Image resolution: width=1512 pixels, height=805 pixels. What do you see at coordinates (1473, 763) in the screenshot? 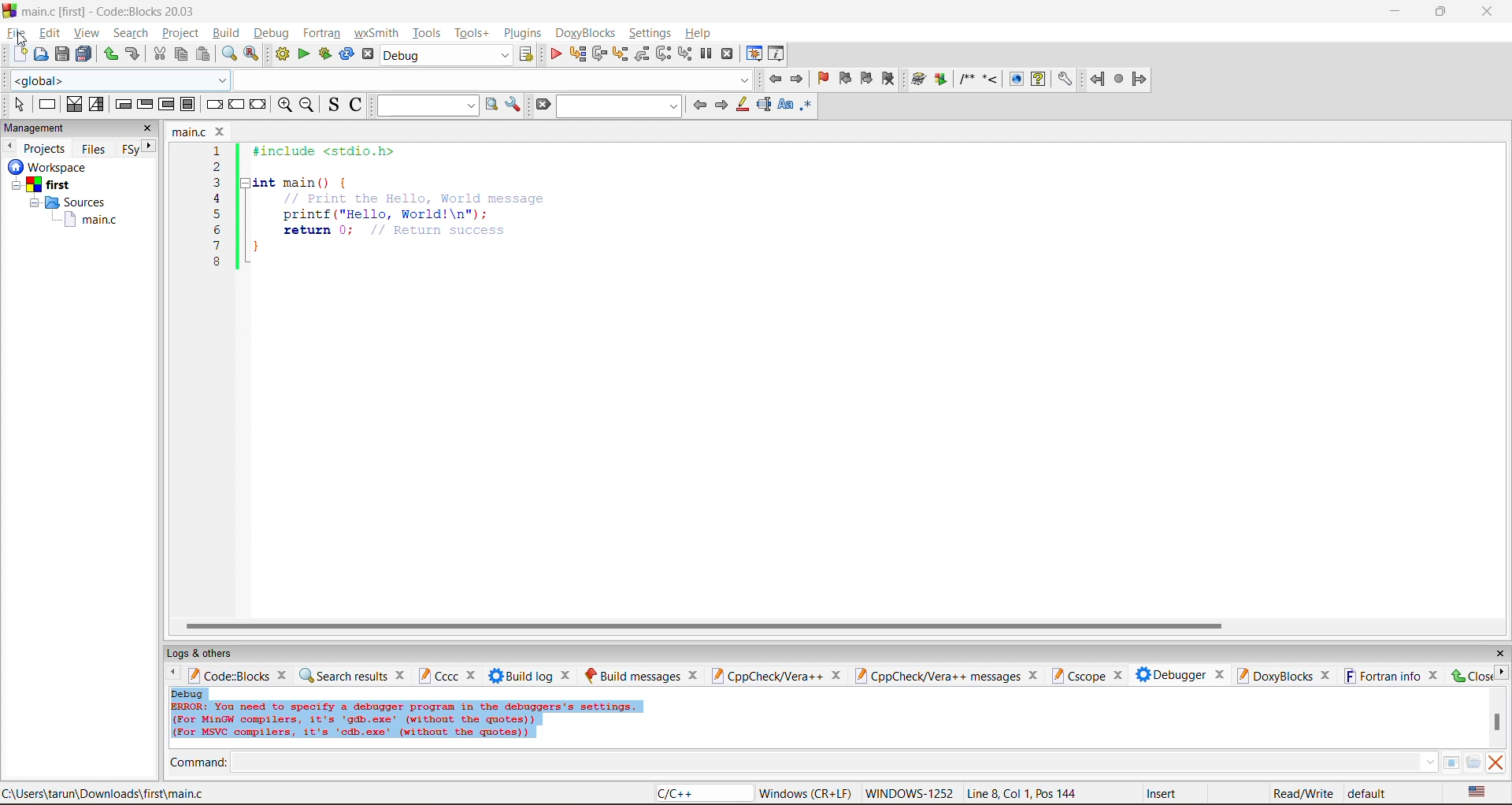
I see `open/browse` at bounding box center [1473, 763].